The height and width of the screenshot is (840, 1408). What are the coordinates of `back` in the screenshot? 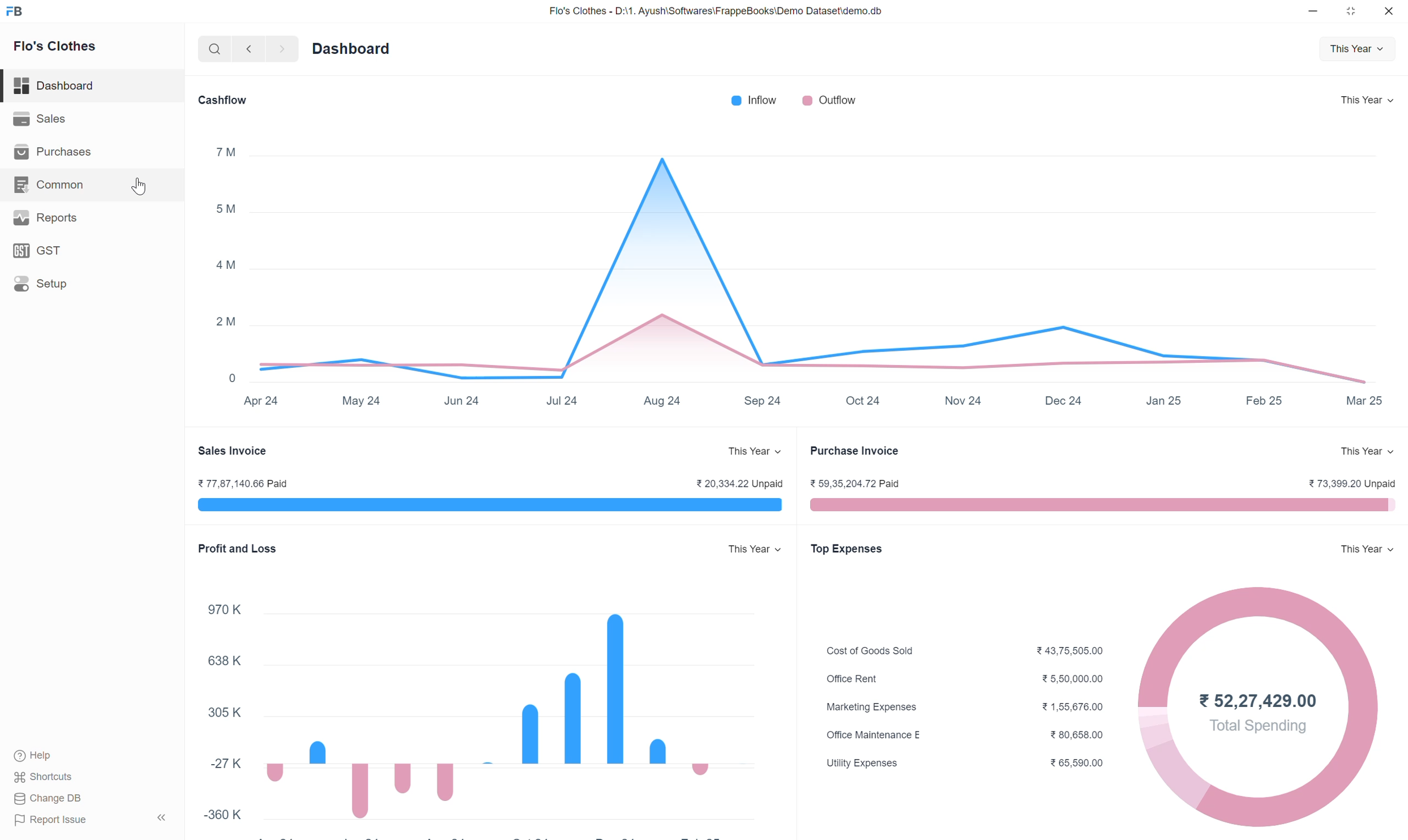 It's located at (251, 49).